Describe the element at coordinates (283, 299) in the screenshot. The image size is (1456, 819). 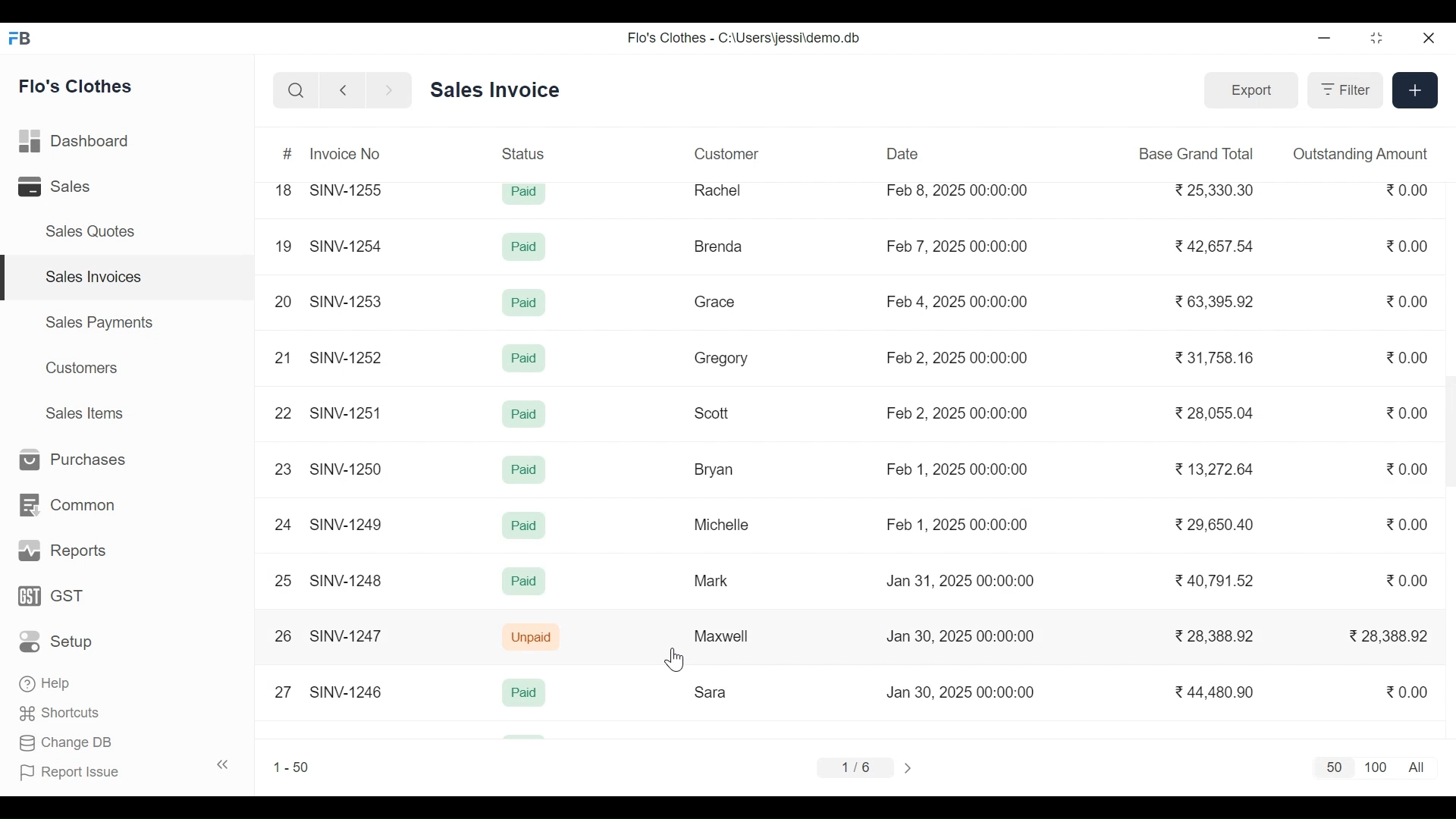
I see `20` at that location.